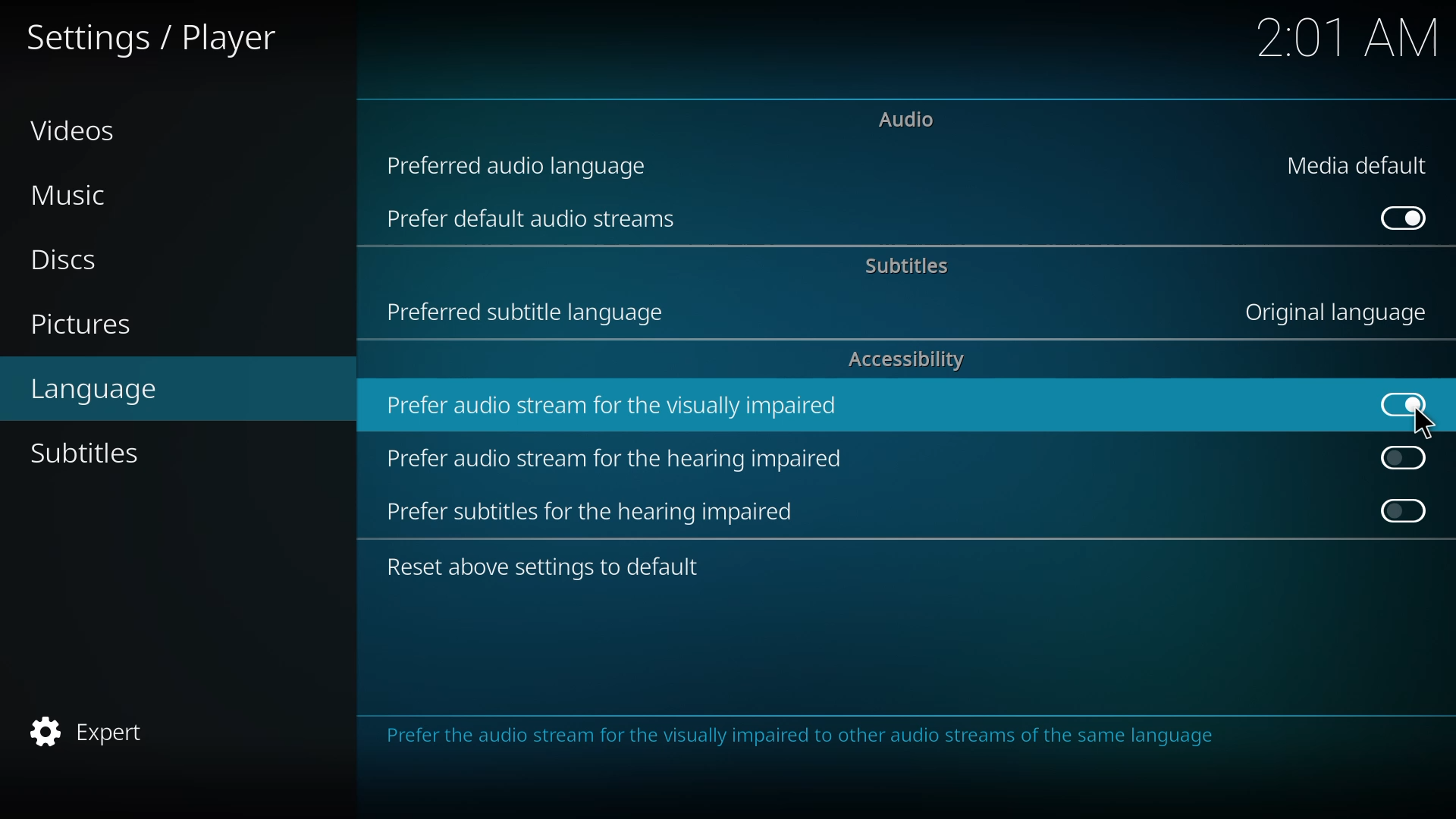  I want to click on language, so click(102, 391).